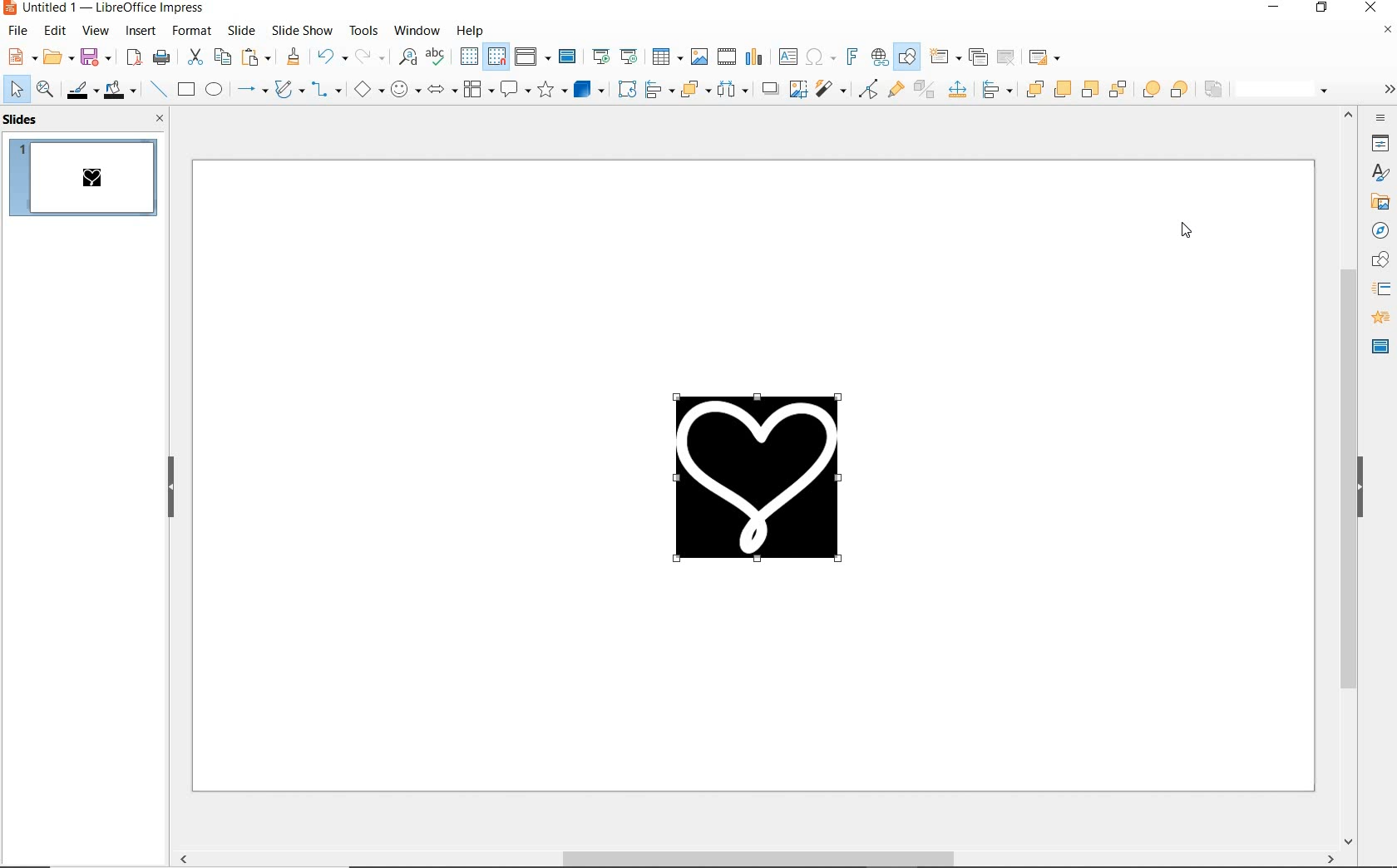  What do you see at coordinates (160, 118) in the screenshot?
I see `CLOSE` at bounding box center [160, 118].